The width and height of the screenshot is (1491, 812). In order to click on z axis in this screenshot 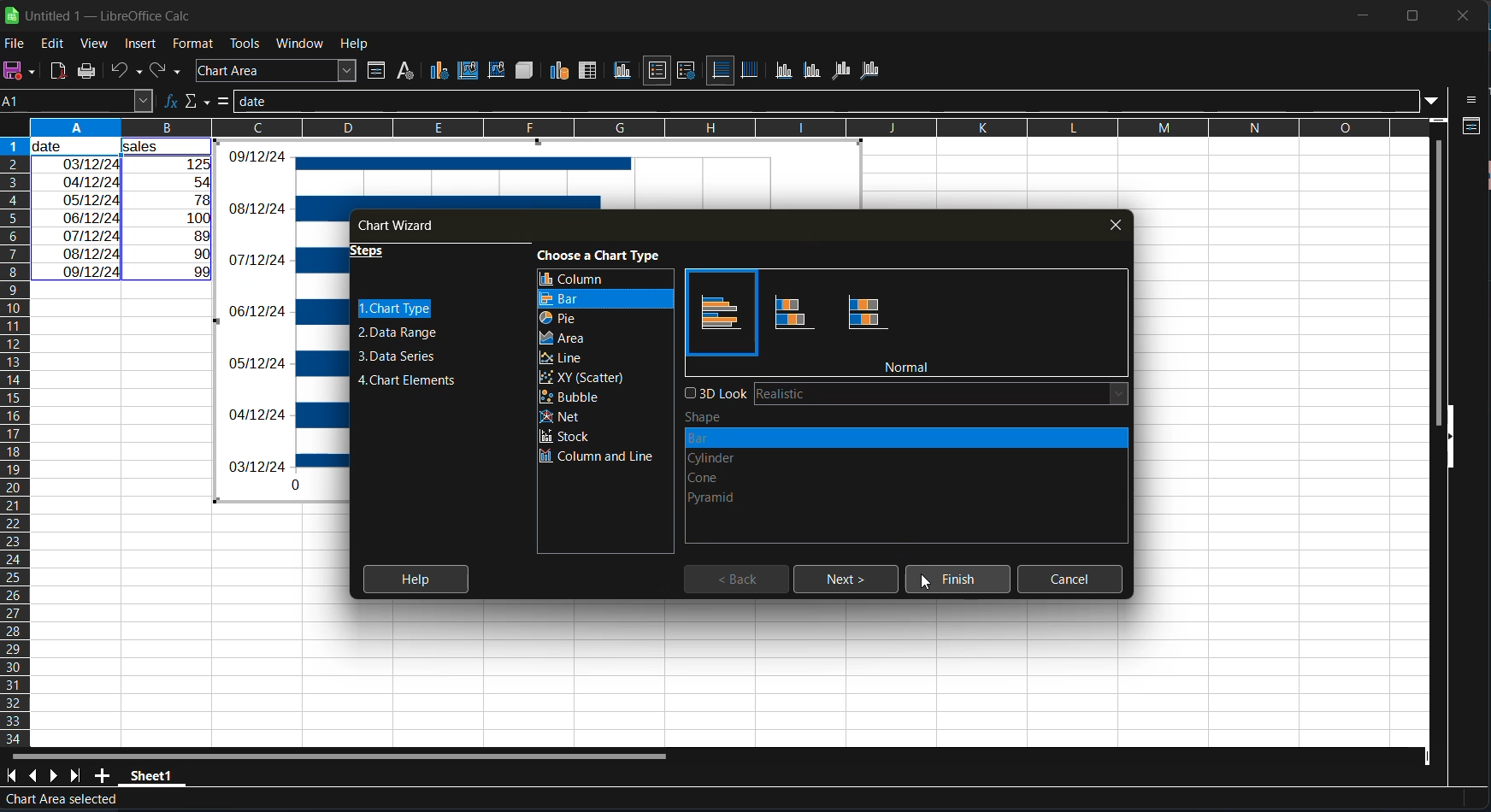, I will do `click(840, 68)`.